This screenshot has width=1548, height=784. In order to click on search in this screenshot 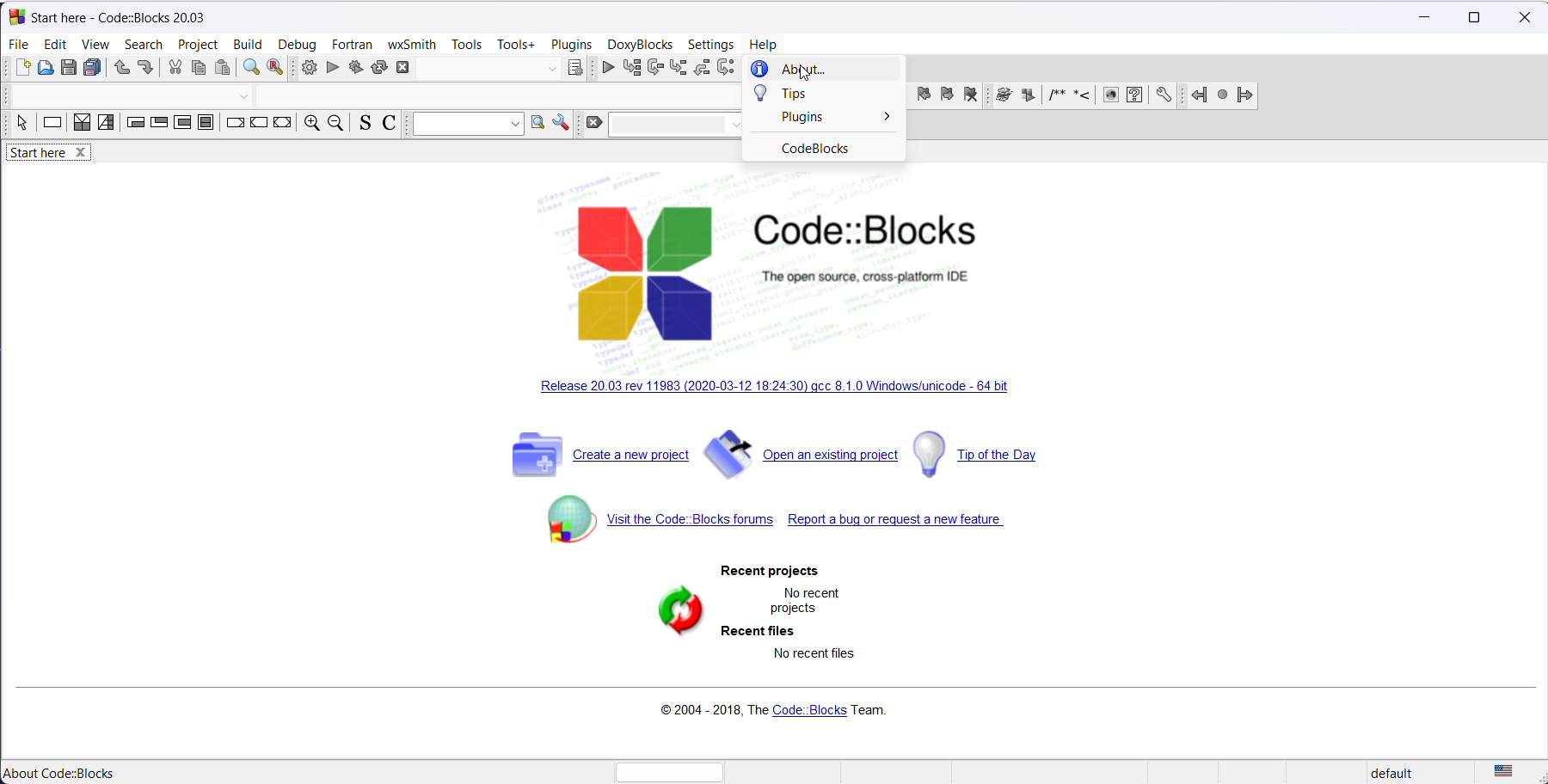, I will do `click(148, 45)`.